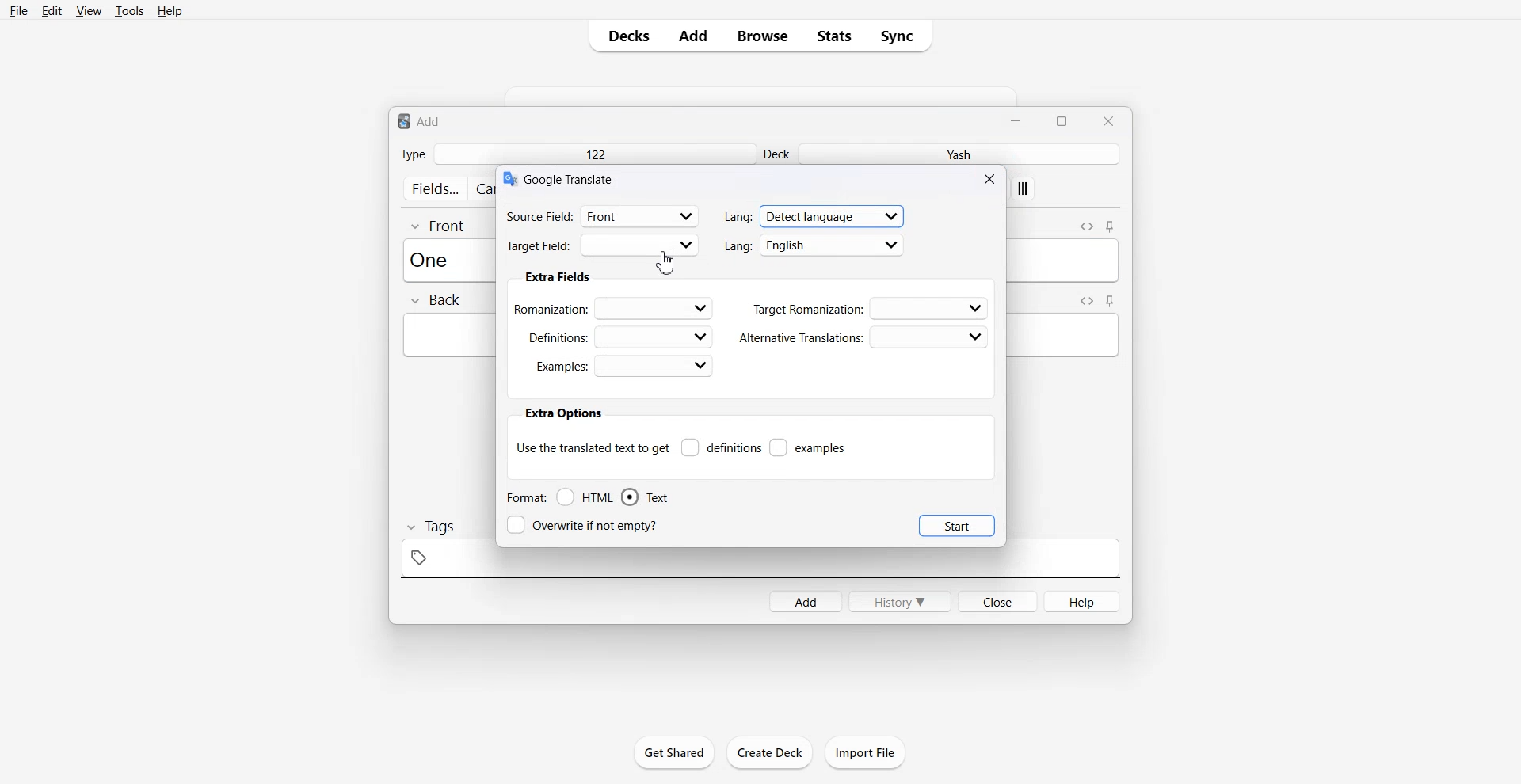 The height and width of the screenshot is (784, 1521). Describe the element at coordinates (963, 154) in the screenshot. I see `Yash` at that location.